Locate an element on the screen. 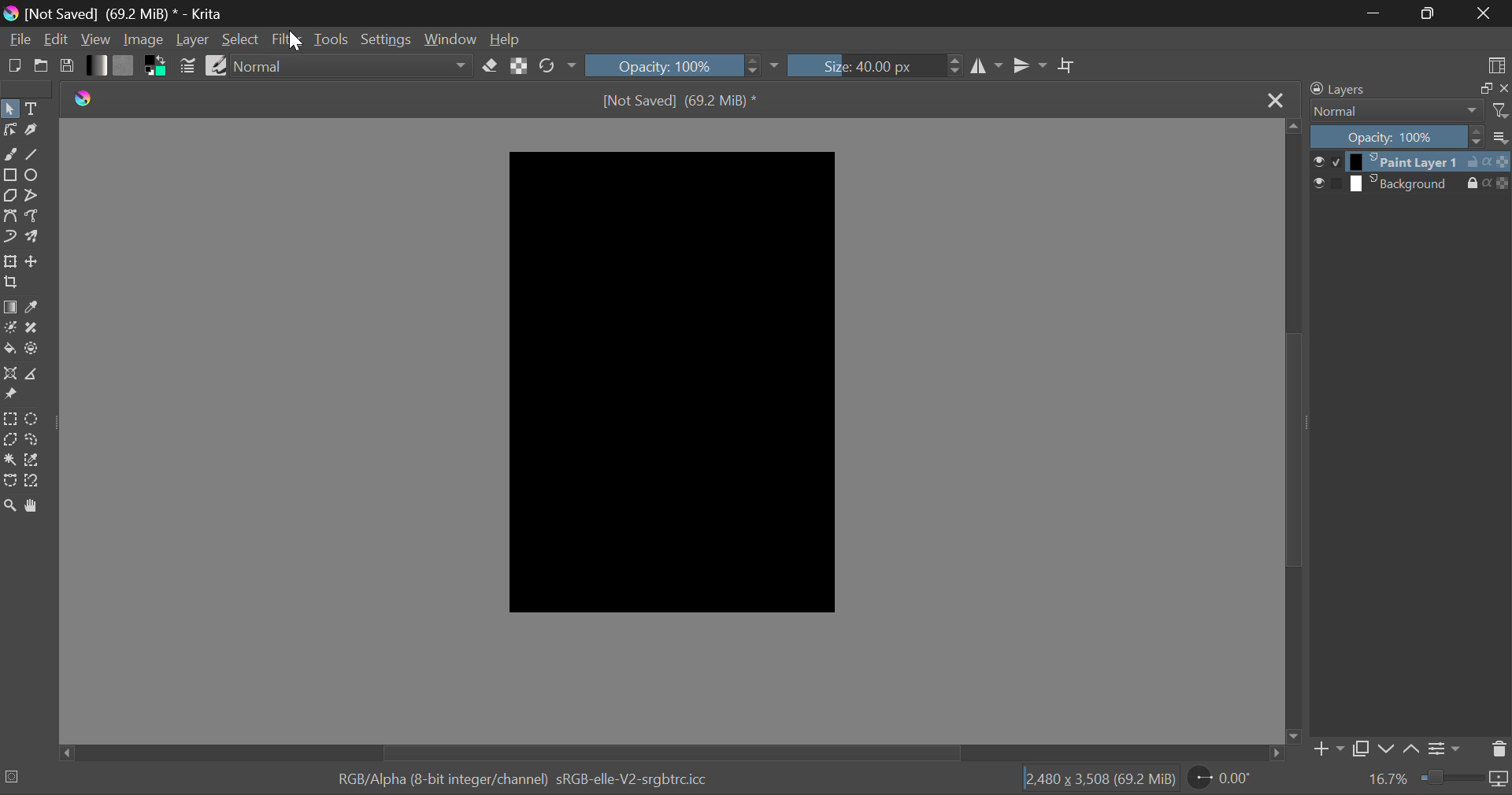 The width and height of the screenshot is (1512, 795). Freehand Path Tool is located at coordinates (32, 217).